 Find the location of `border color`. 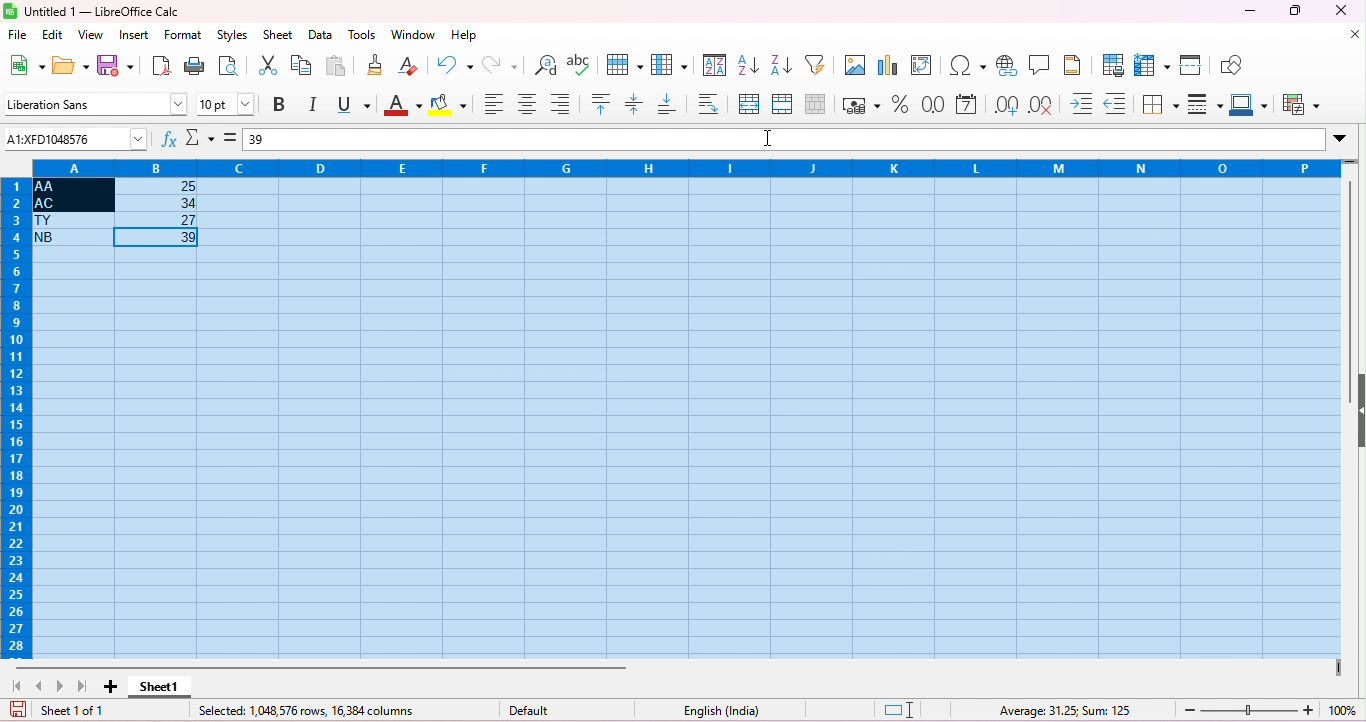

border color is located at coordinates (1251, 104).